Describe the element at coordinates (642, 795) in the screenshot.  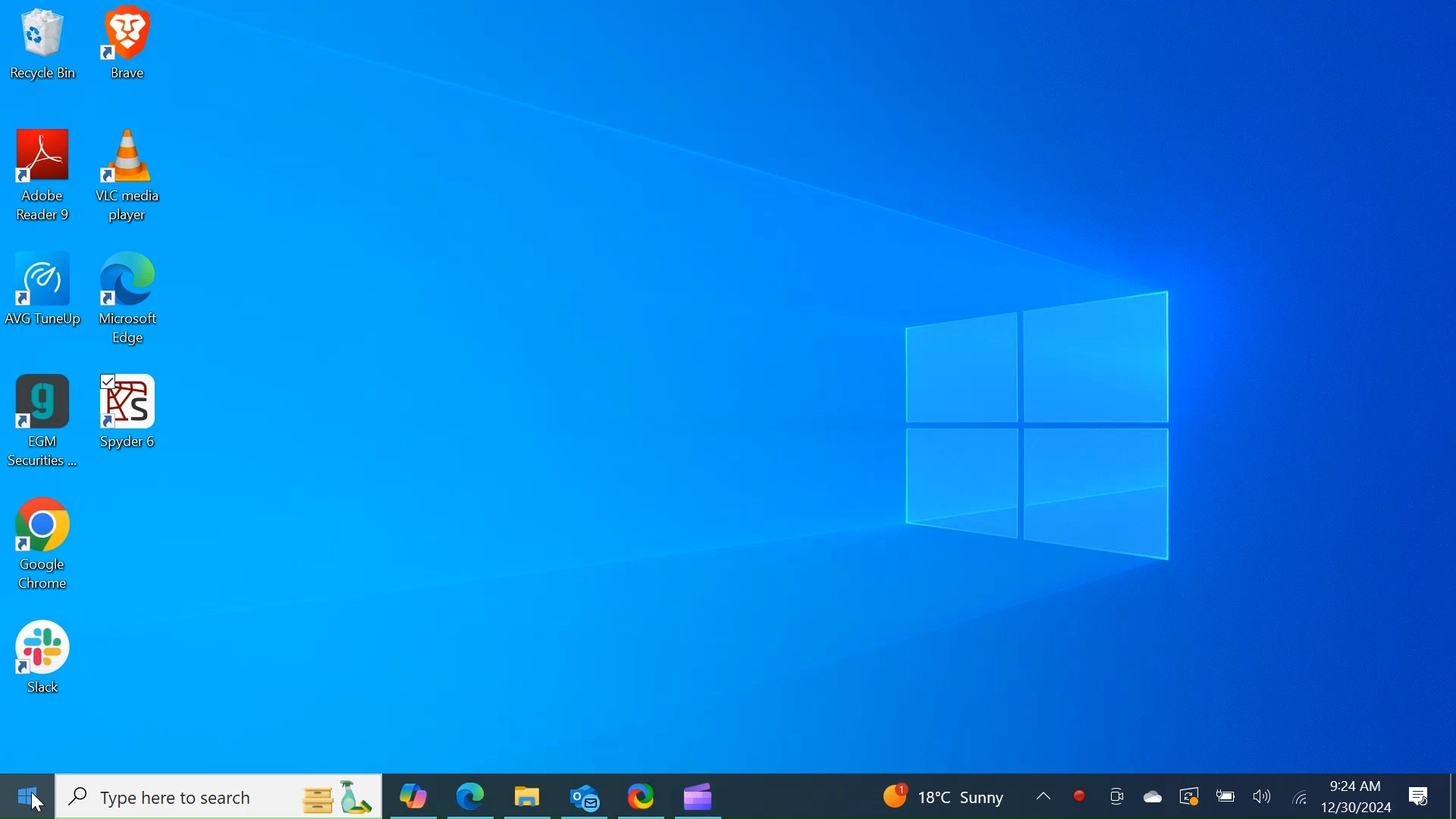
I see `ShareX` at that location.